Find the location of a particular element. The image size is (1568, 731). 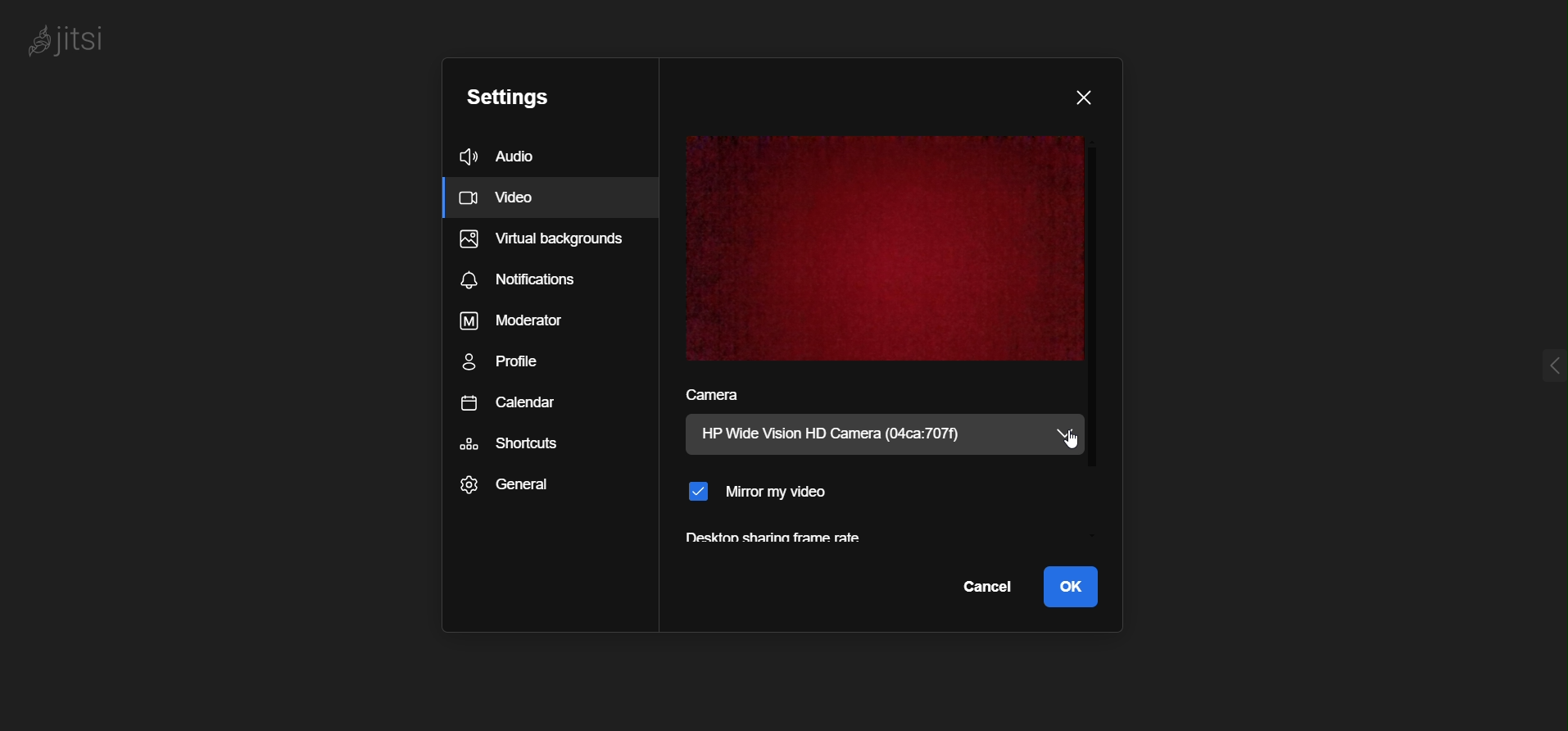

calendar is located at coordinates (514, 406).